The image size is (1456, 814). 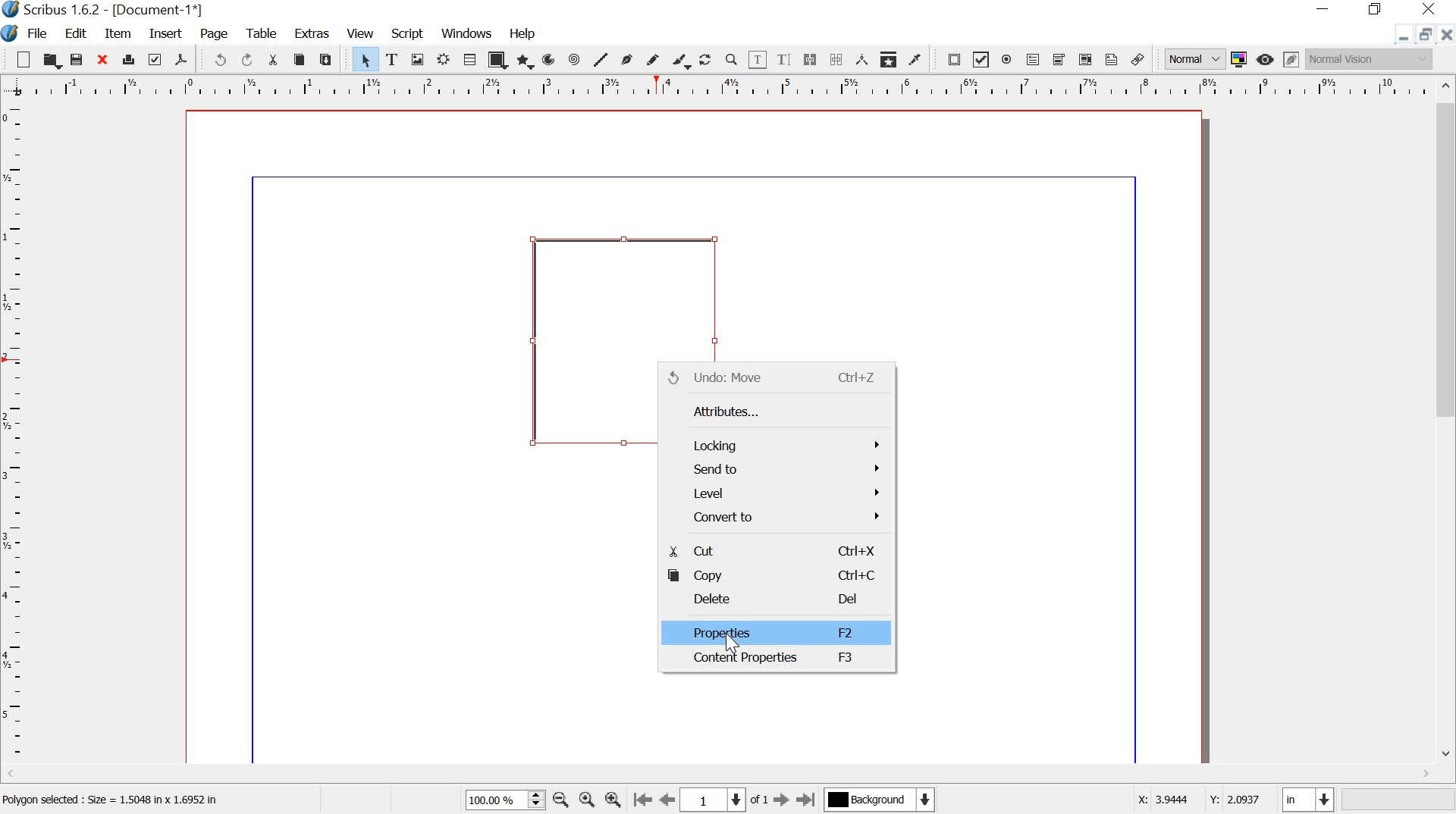 I want to click on table, so click(x=469, y=60).